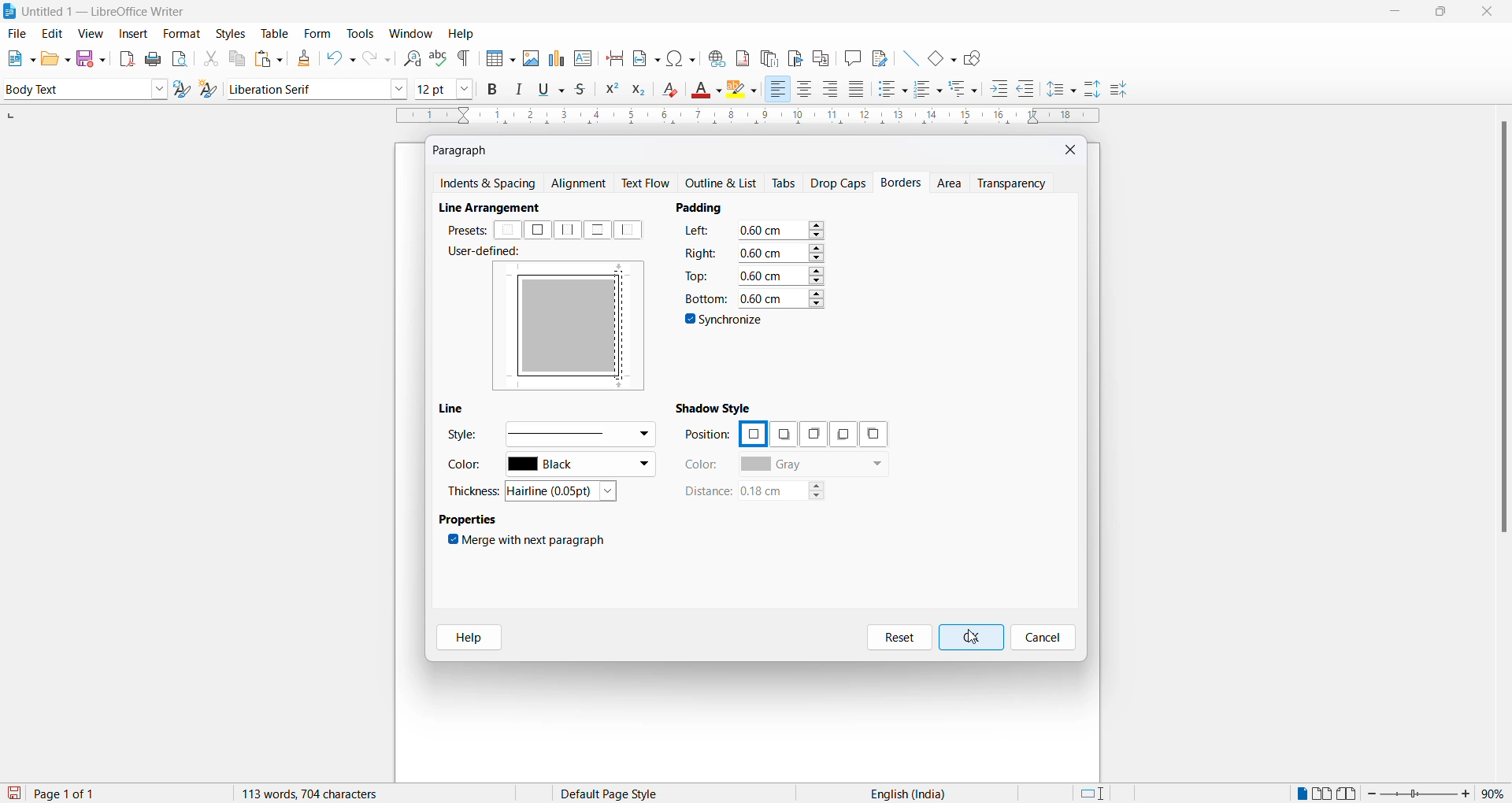 The width and height of the screenshot is (1512, 803). Describe the element at coordinates (464, 638) in the screenshot. I see `help` at that location.